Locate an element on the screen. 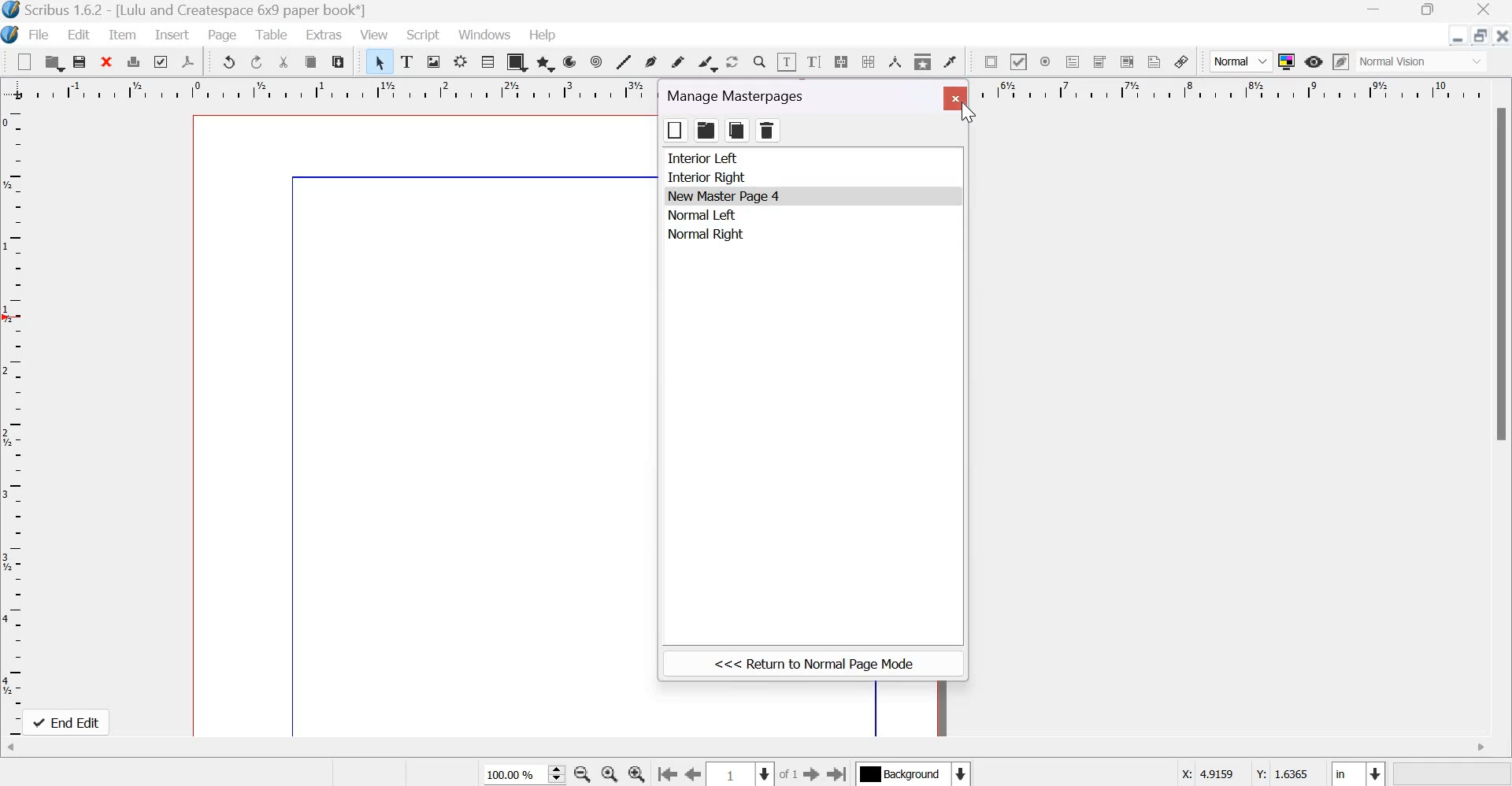  save is located at coordinates (80, 61).